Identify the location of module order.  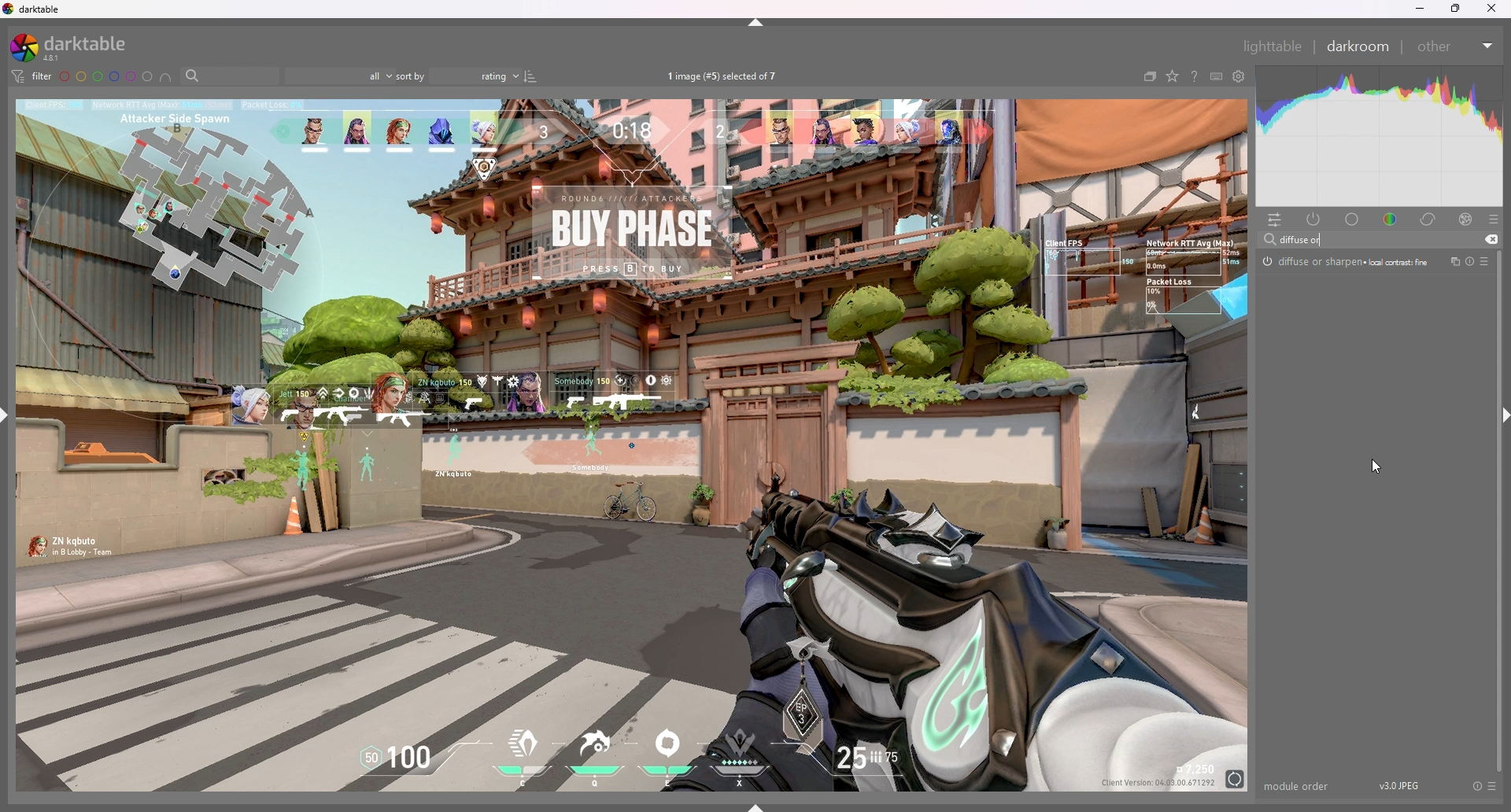
(1297, 786).